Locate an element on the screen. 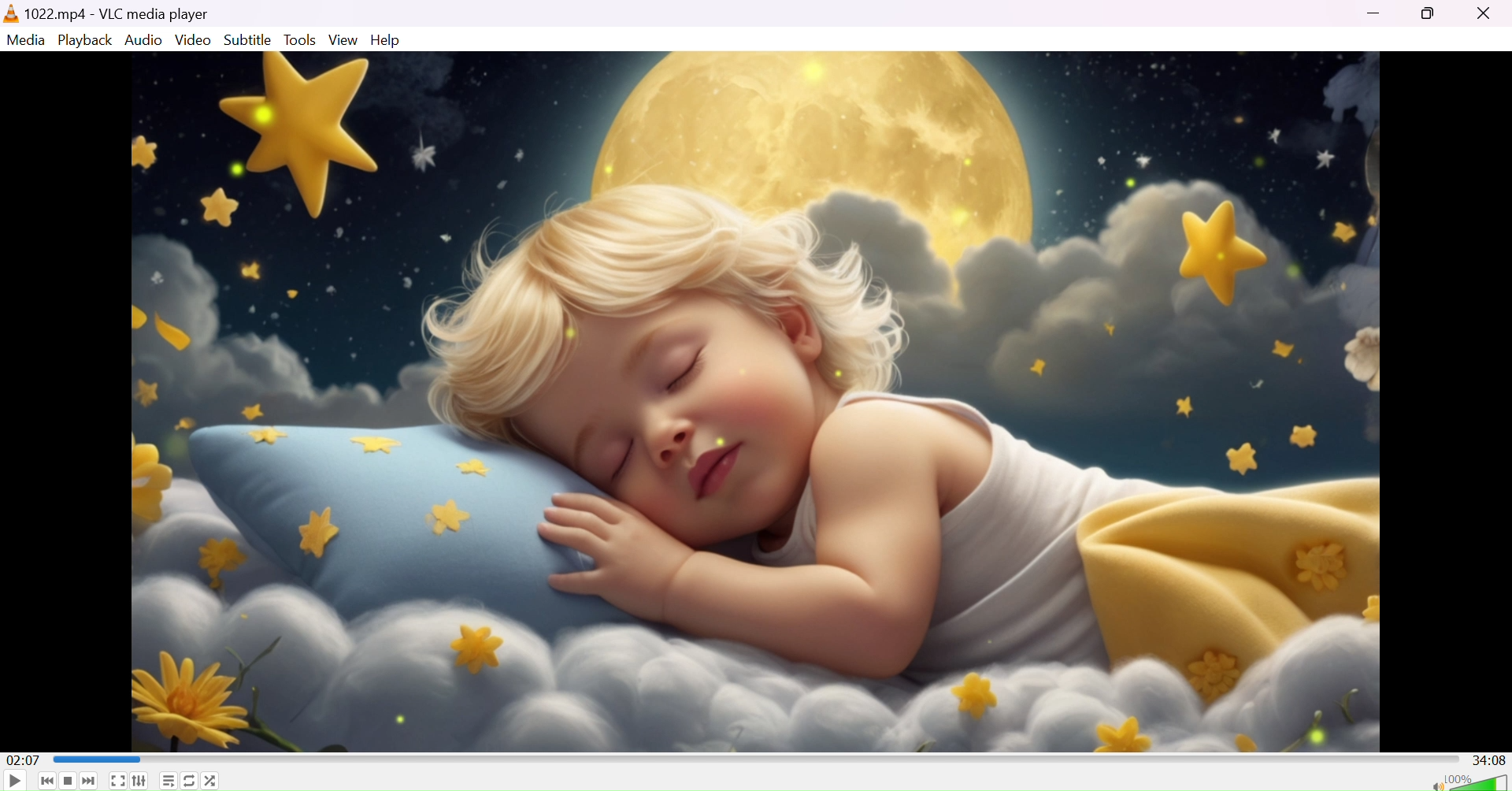 This screenshot has width=1512, height=791. Click to toggle between loop all, loop one and no loop is located at coordinates (192, 782).